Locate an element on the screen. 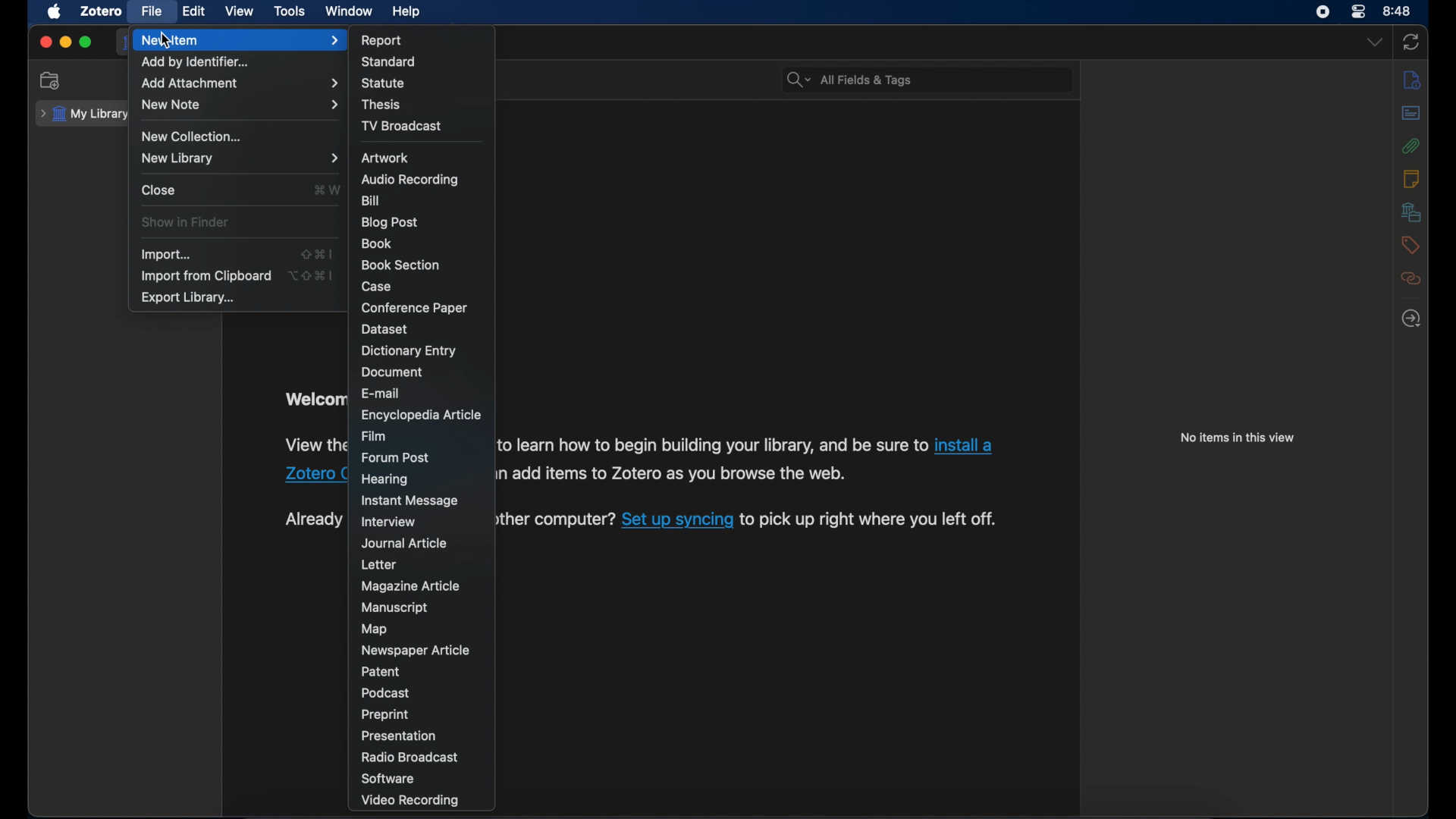  audio recording is located at coordinates (409, 180).